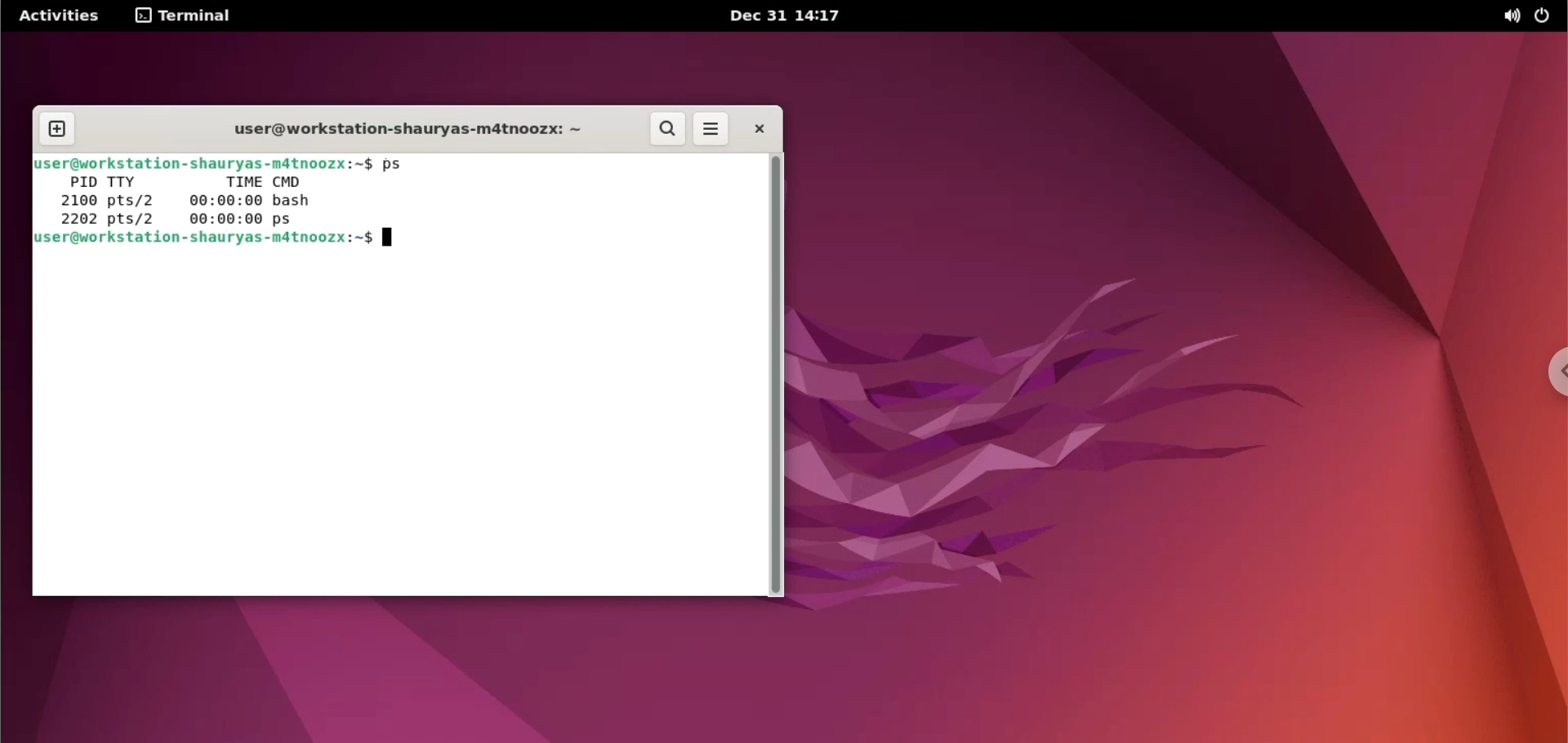 The width and height of the screenshot is (1568, 743). What do you see at coordinates (219, 219) in the screenshot?
I see `00:00:00` at bounding box center [219, 219].